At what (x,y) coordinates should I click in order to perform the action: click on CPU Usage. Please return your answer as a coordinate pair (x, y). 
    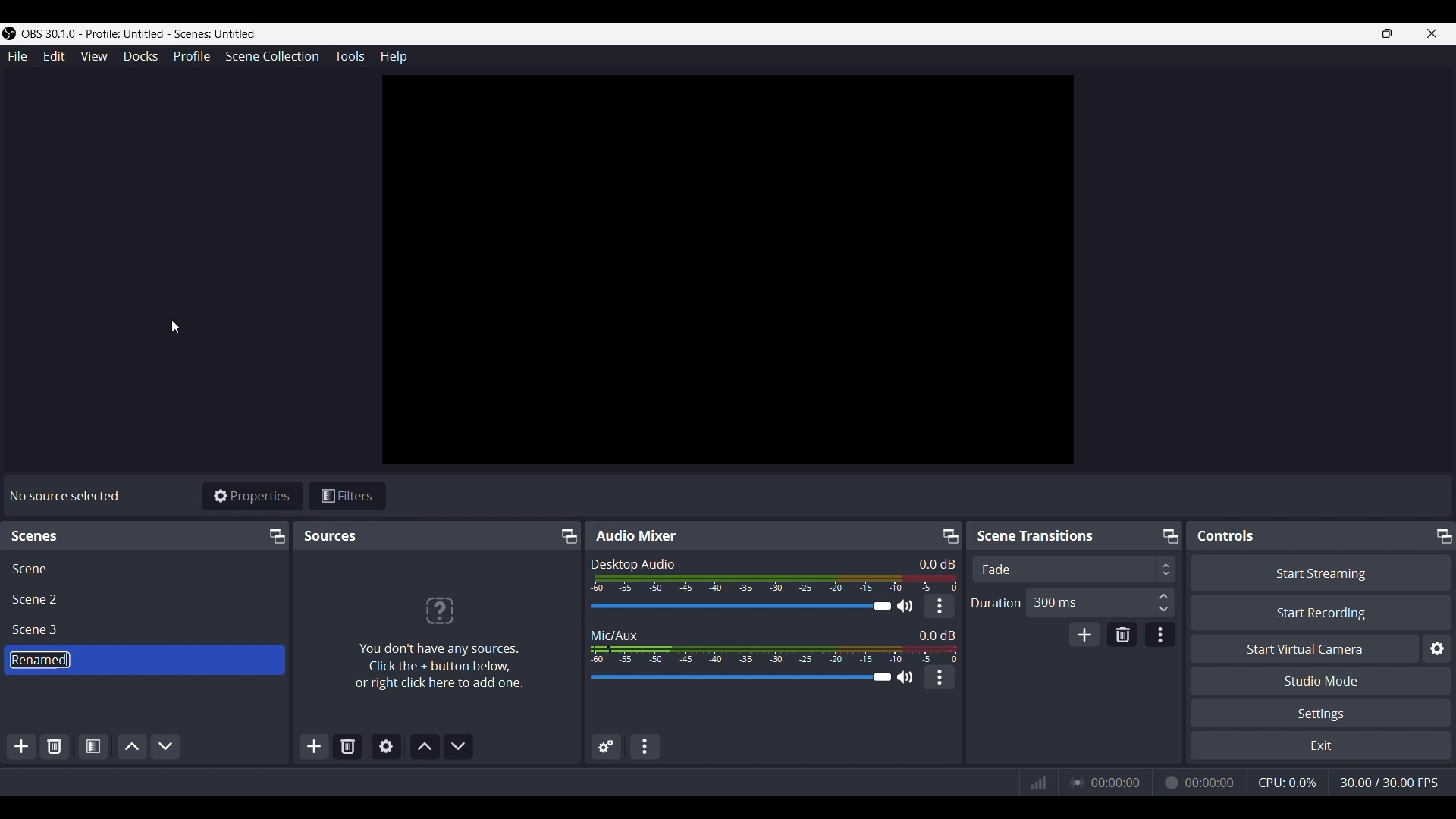
    Looking at the image, I should click on (1288, 782).